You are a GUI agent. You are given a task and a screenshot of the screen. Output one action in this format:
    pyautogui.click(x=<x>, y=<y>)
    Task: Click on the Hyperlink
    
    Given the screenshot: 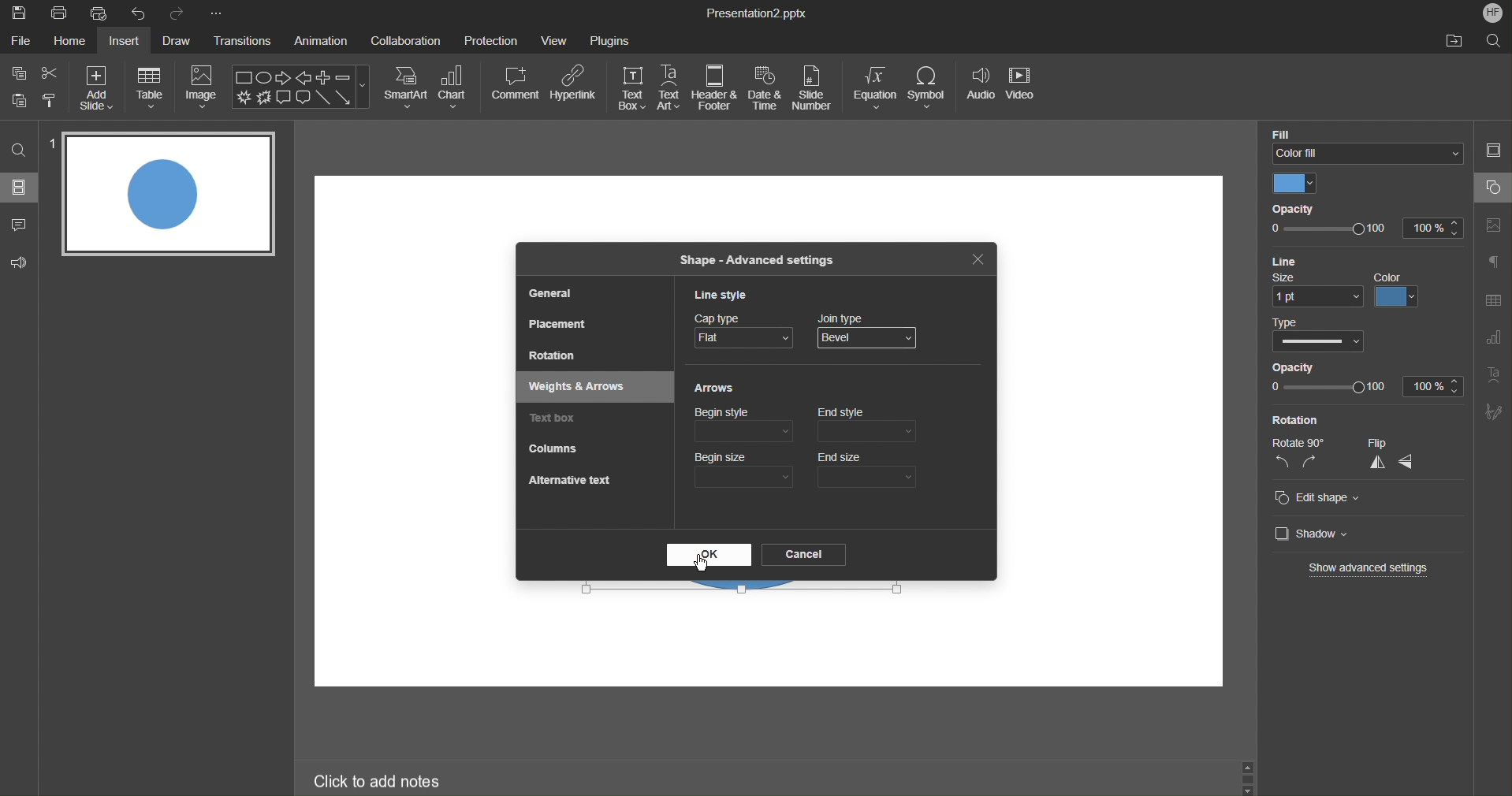 What is the action you would take?
    pyautogui.click(x=573, y=84)
    